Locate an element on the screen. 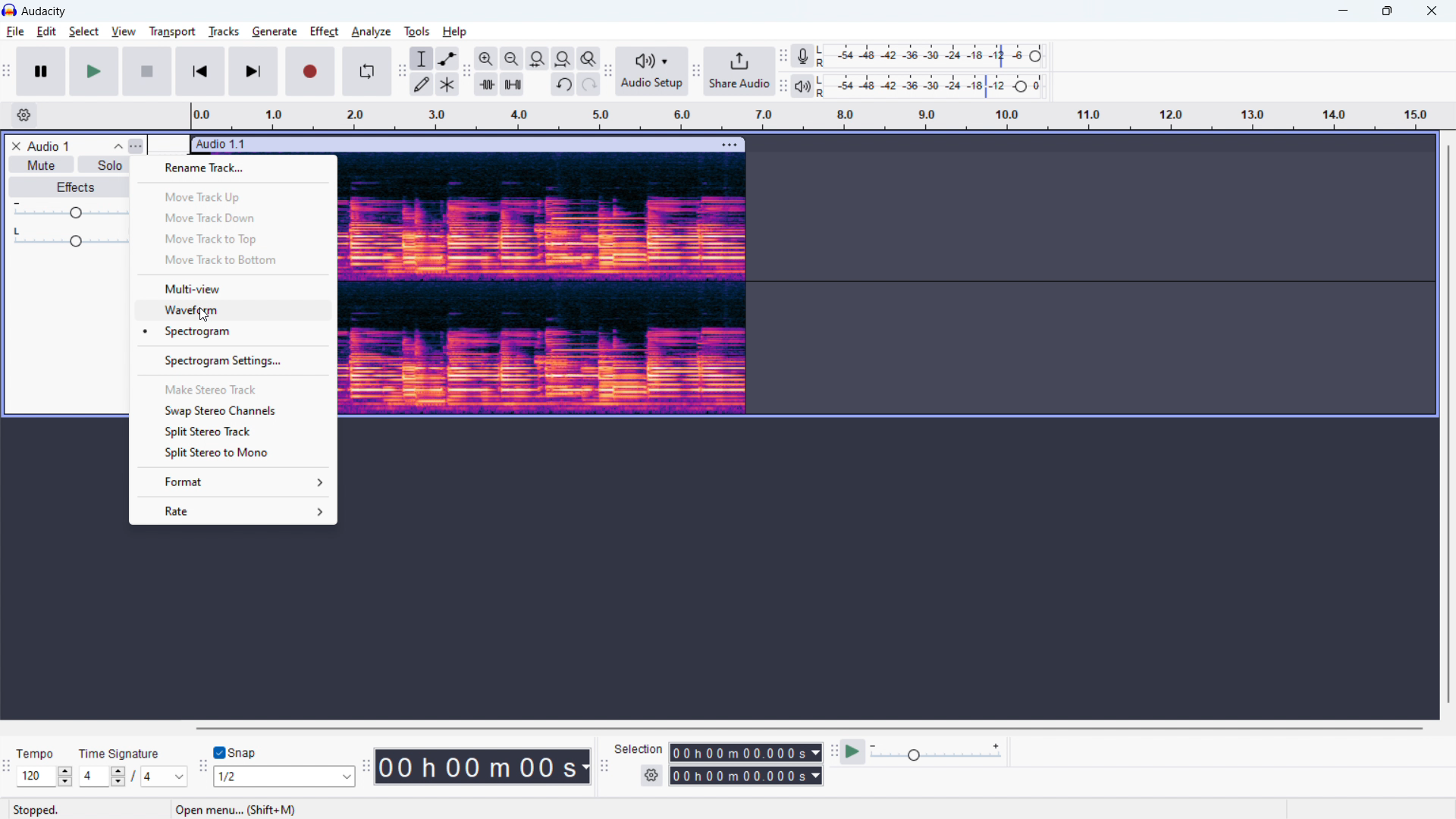 The image size is (1456, 819). time signature is located at coordinates (119, 753).